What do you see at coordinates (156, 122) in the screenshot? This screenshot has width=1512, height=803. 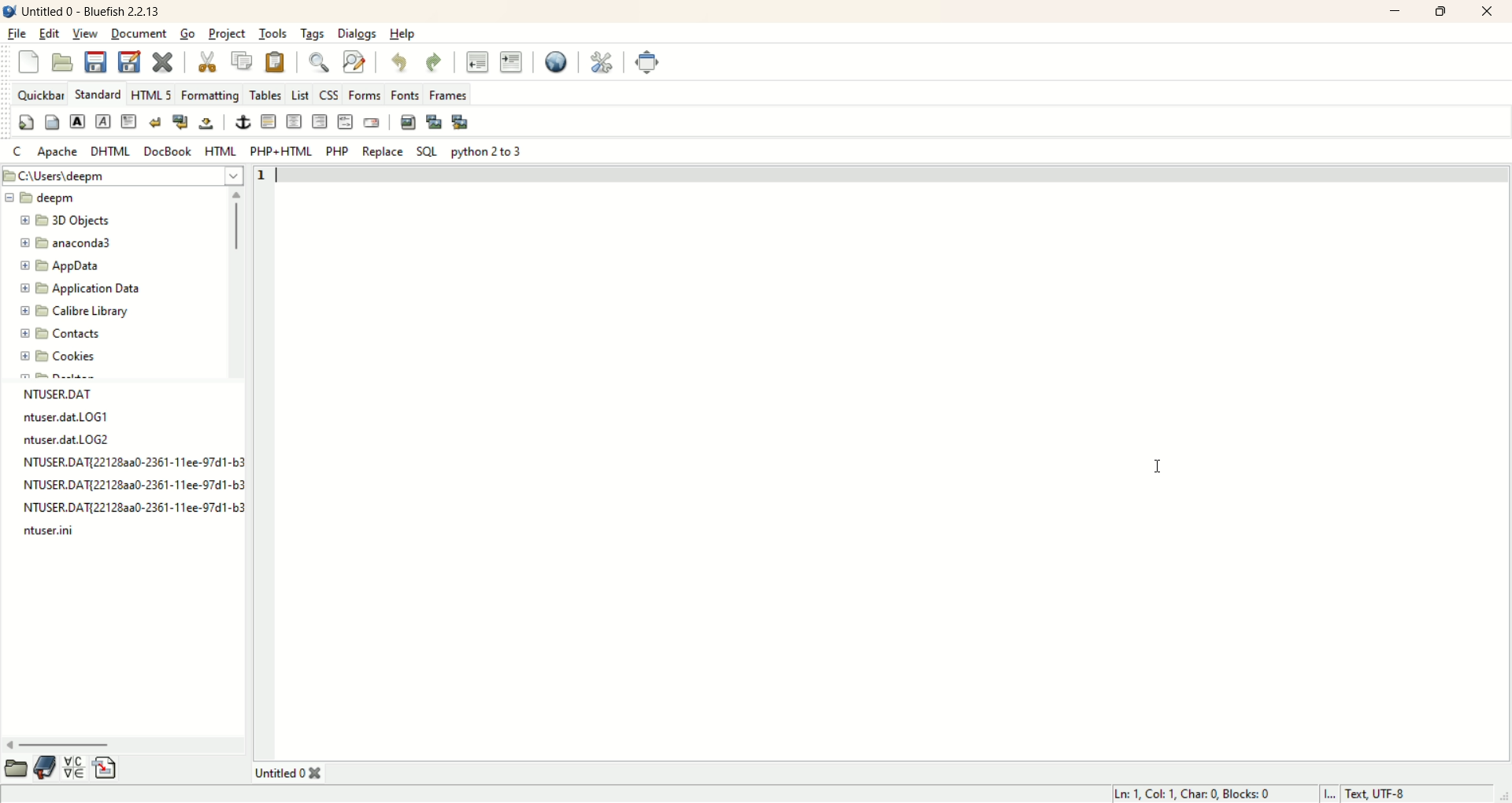 I see `break` at bounding box center [156, 122].